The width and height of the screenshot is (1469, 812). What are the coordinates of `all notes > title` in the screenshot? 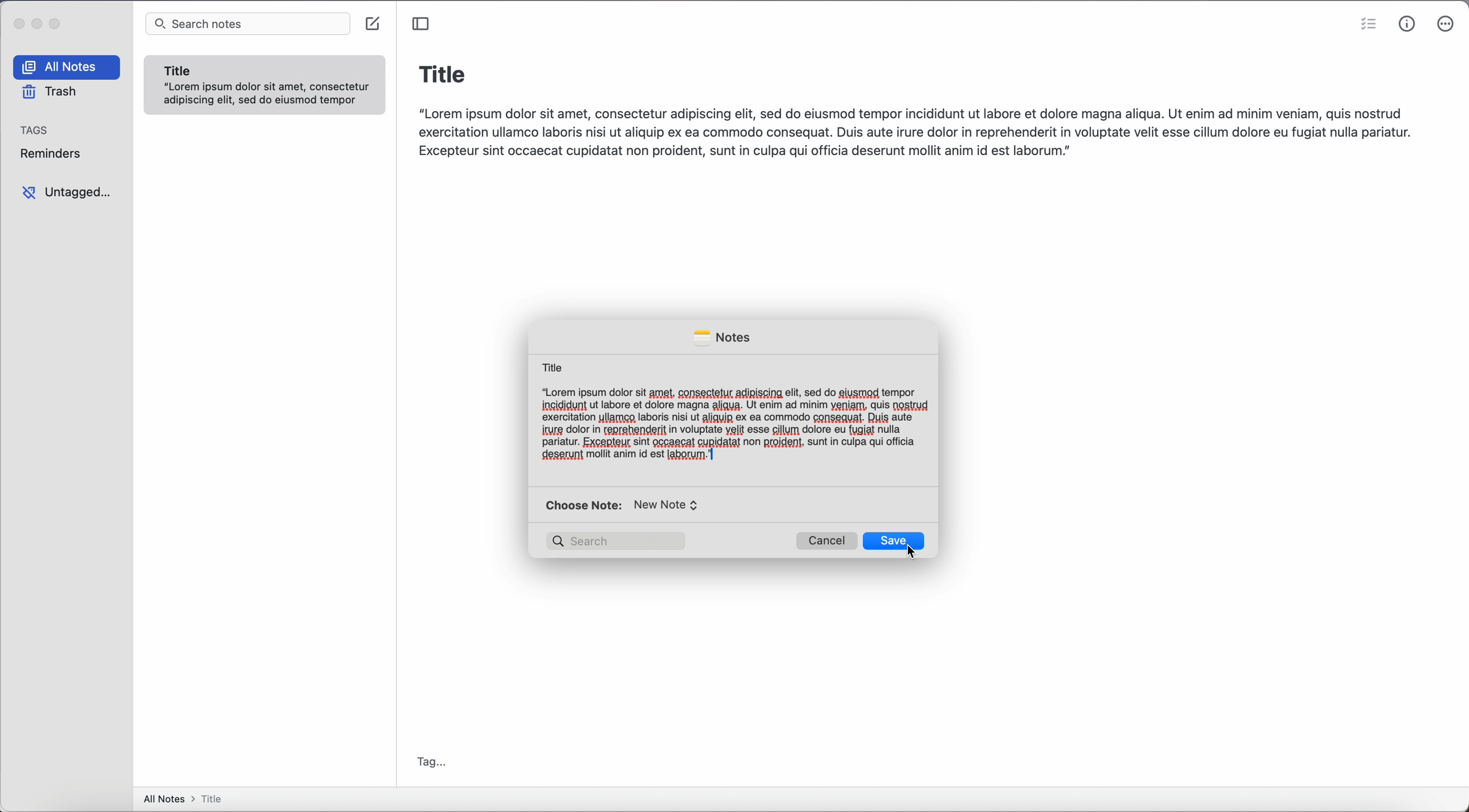 It's located at (186, 798).